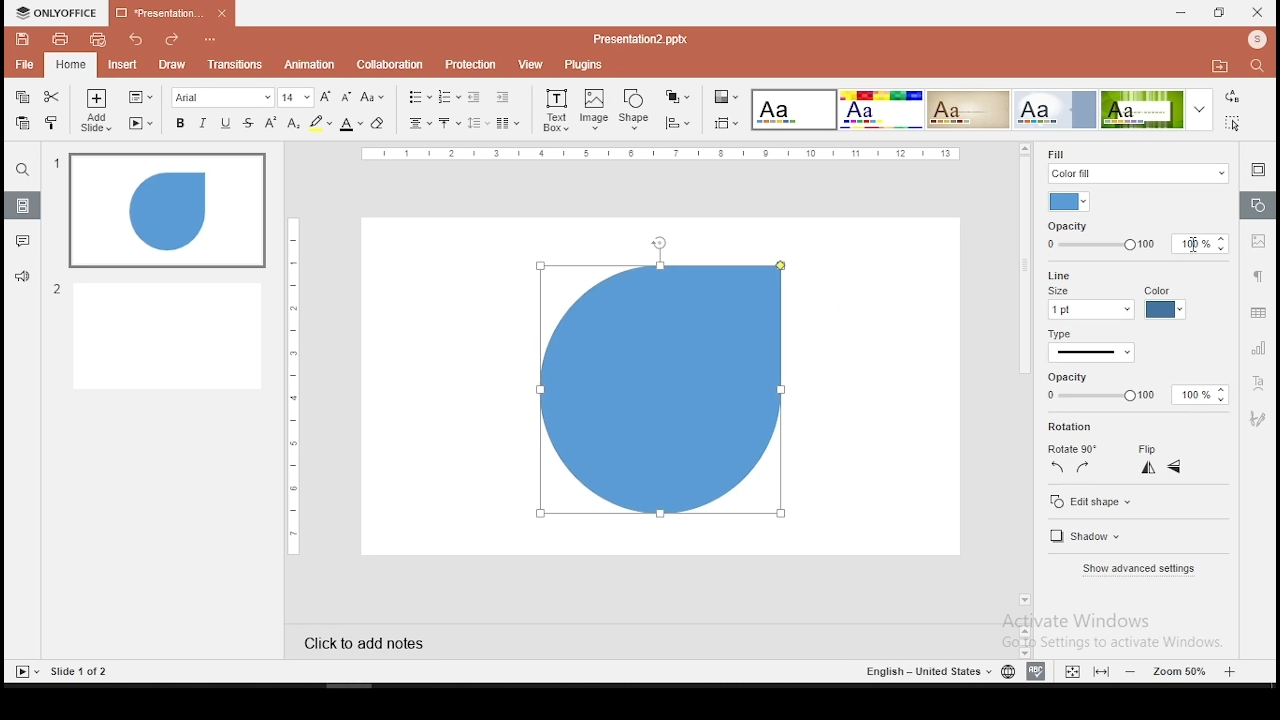 The image size is (1280, 720). I want to click on change case, so click(373, 98).